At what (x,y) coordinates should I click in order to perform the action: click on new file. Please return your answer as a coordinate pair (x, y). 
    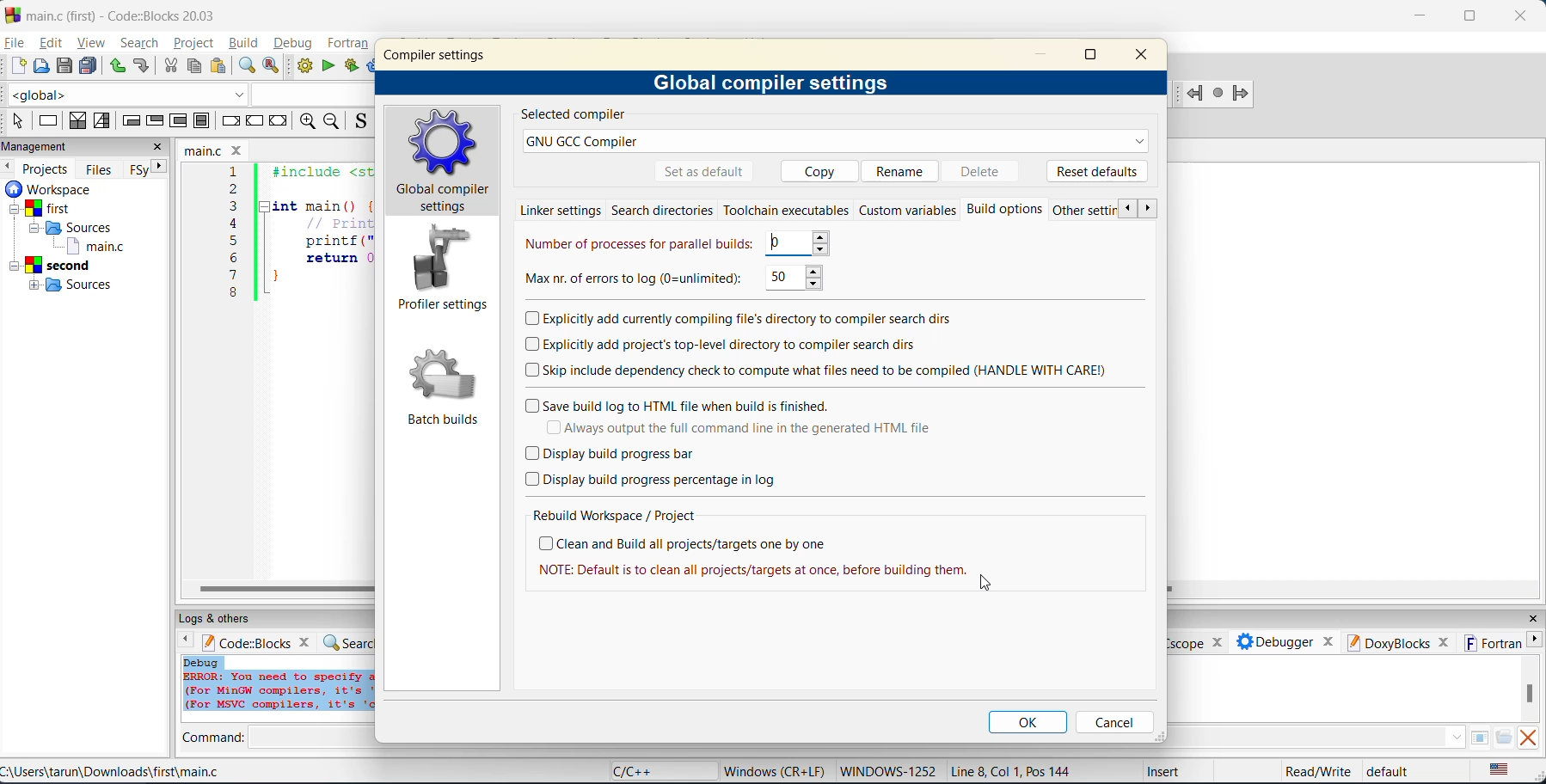
    Looking at the image, I should click on (20, 67).